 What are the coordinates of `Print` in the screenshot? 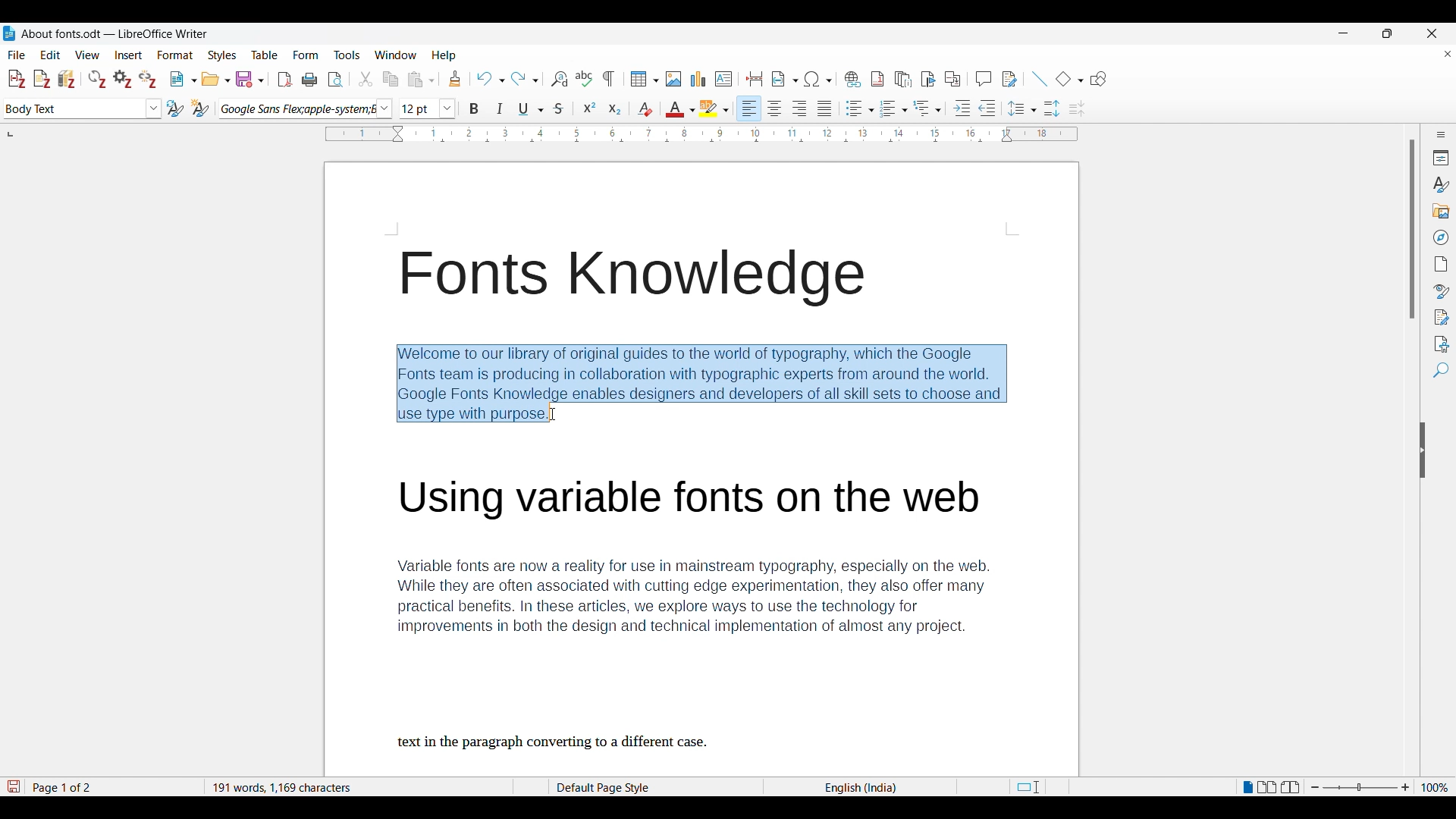 It's located at (309, 80).